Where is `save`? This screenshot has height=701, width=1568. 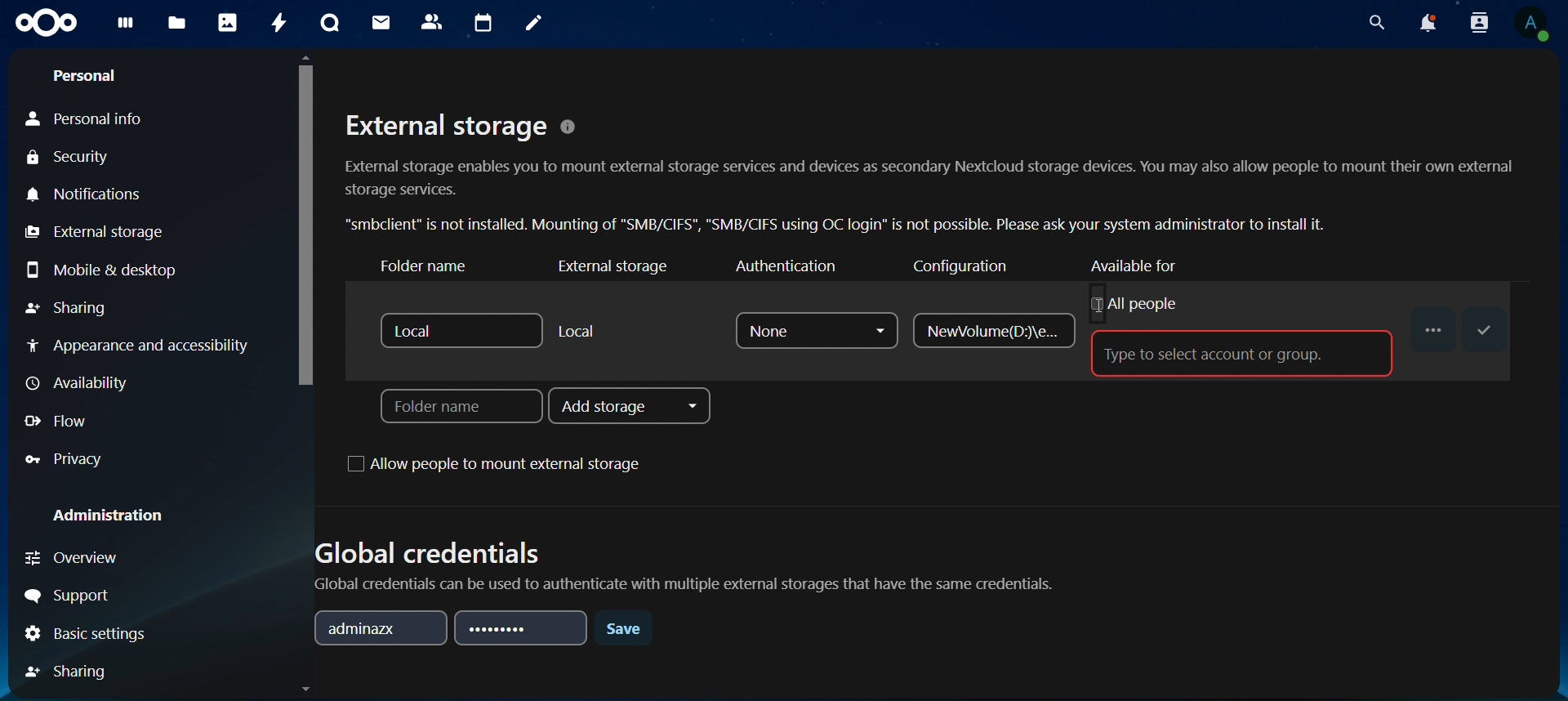
save is located at coordinates (626, 632).